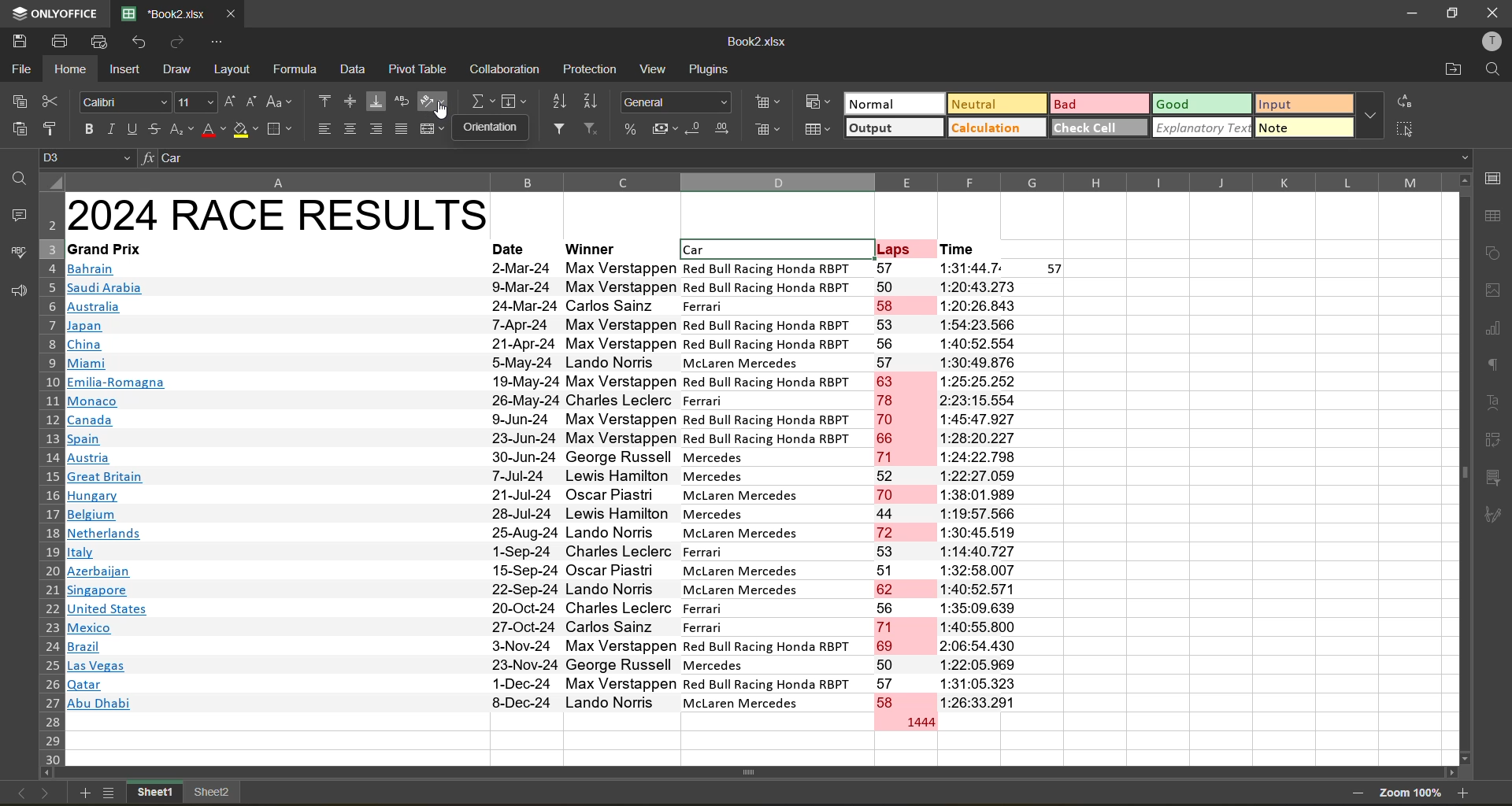  What do you see at coordinates (1355, 792) in the screenshot?
I see `zoom out` at bounding box center [1355, 792].